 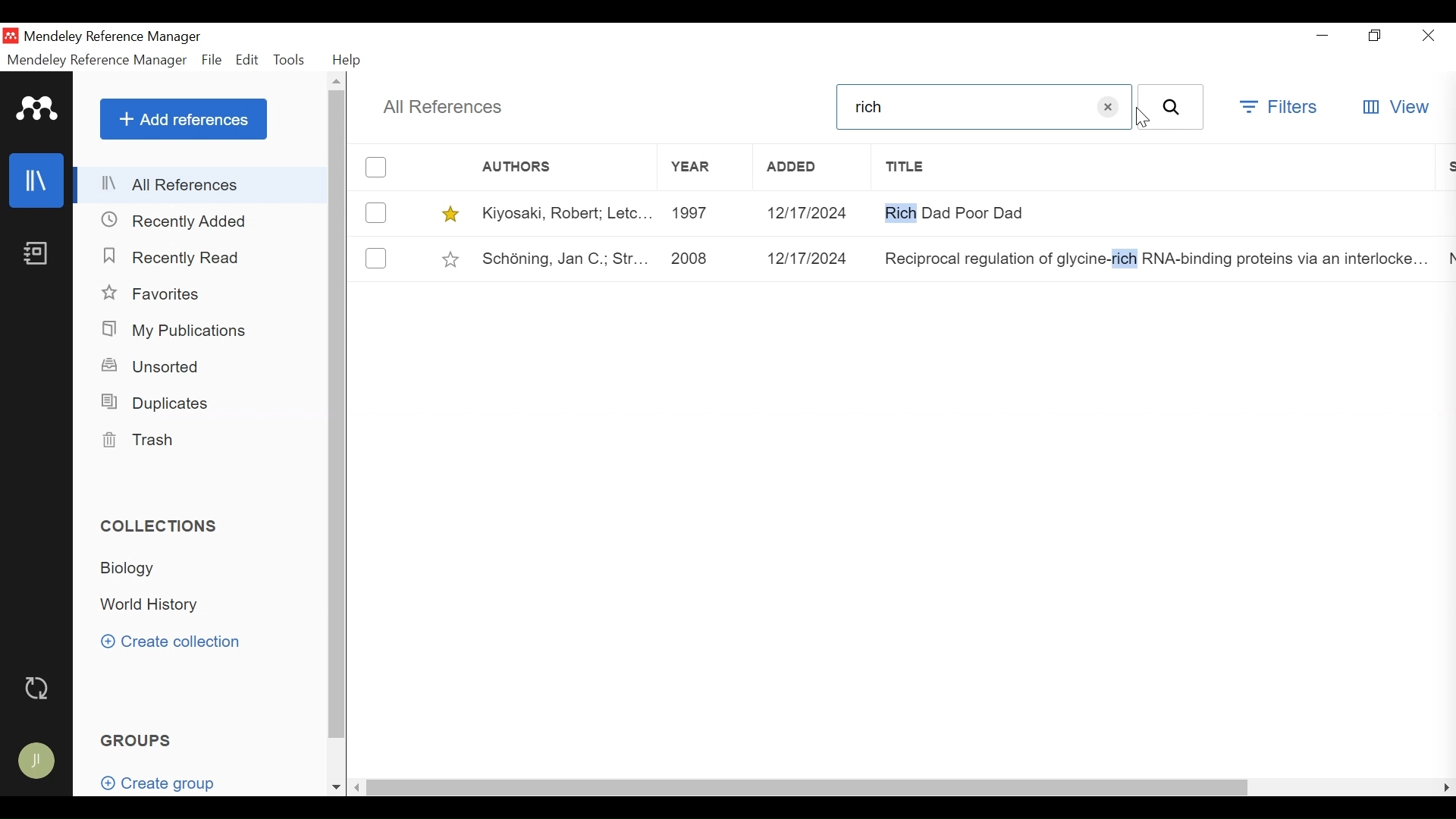 What do you see at coordinates (40, 762) in the screenshot?
I see `Avatar` at bounding box center [40, 762].